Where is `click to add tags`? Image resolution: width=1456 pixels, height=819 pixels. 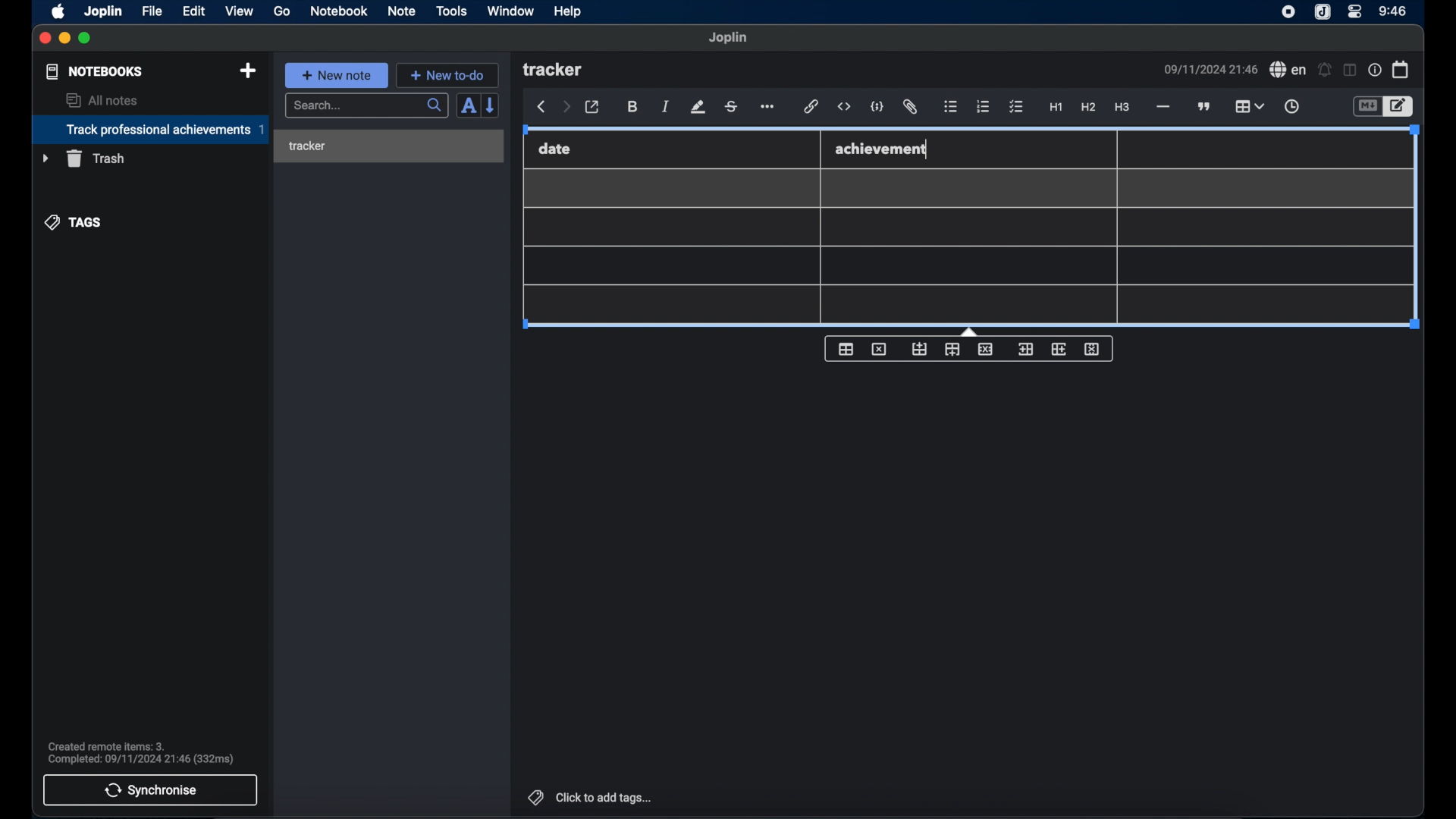
click to add tags is located at coordinates (588, 797).